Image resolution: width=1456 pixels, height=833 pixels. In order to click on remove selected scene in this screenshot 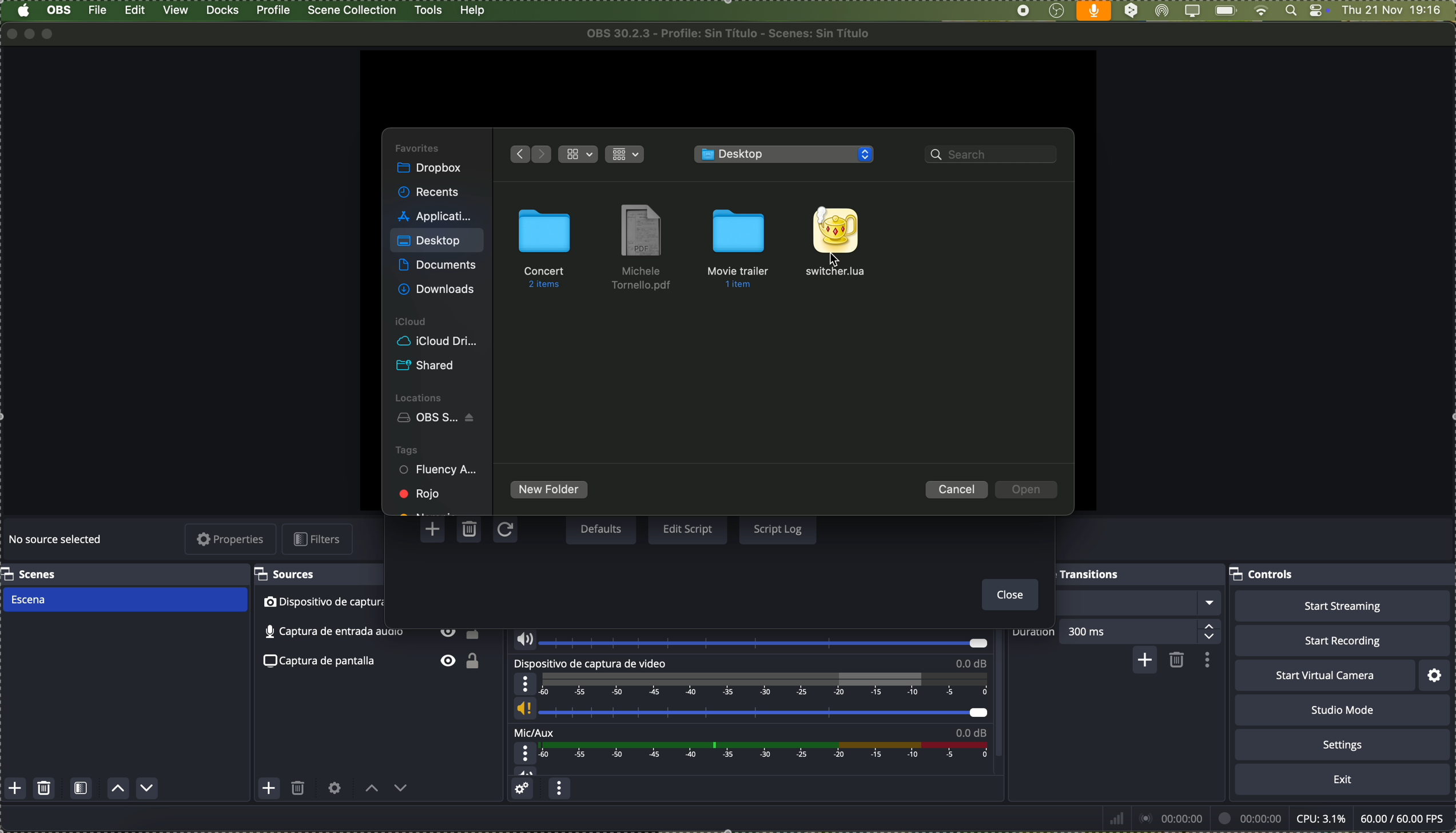, I will do `click(45, 789)`.